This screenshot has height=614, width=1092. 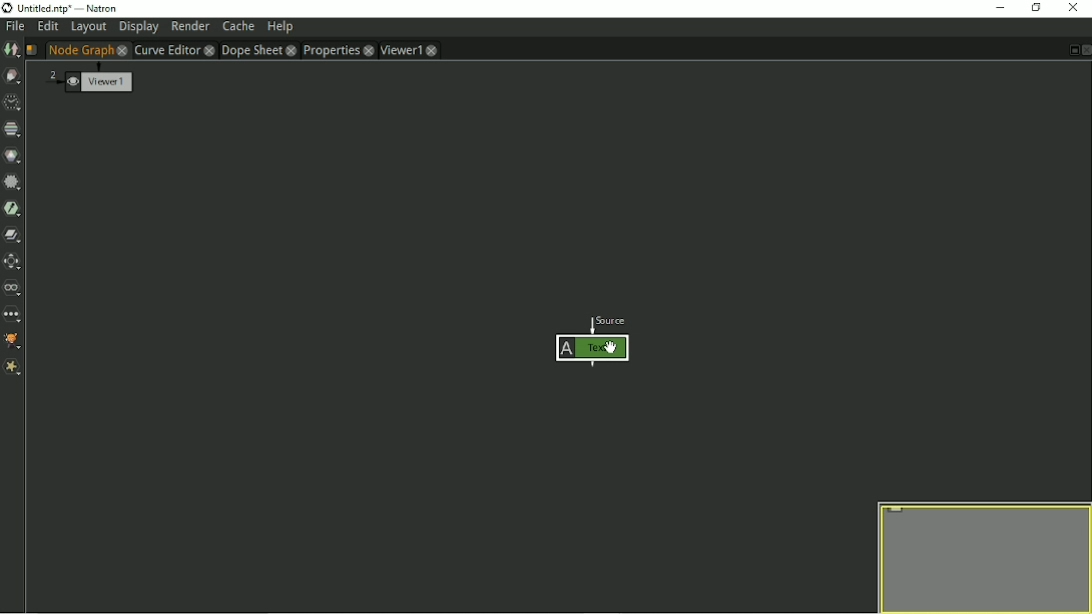 I want to click on Restore down, so click(x=1037, y=8).